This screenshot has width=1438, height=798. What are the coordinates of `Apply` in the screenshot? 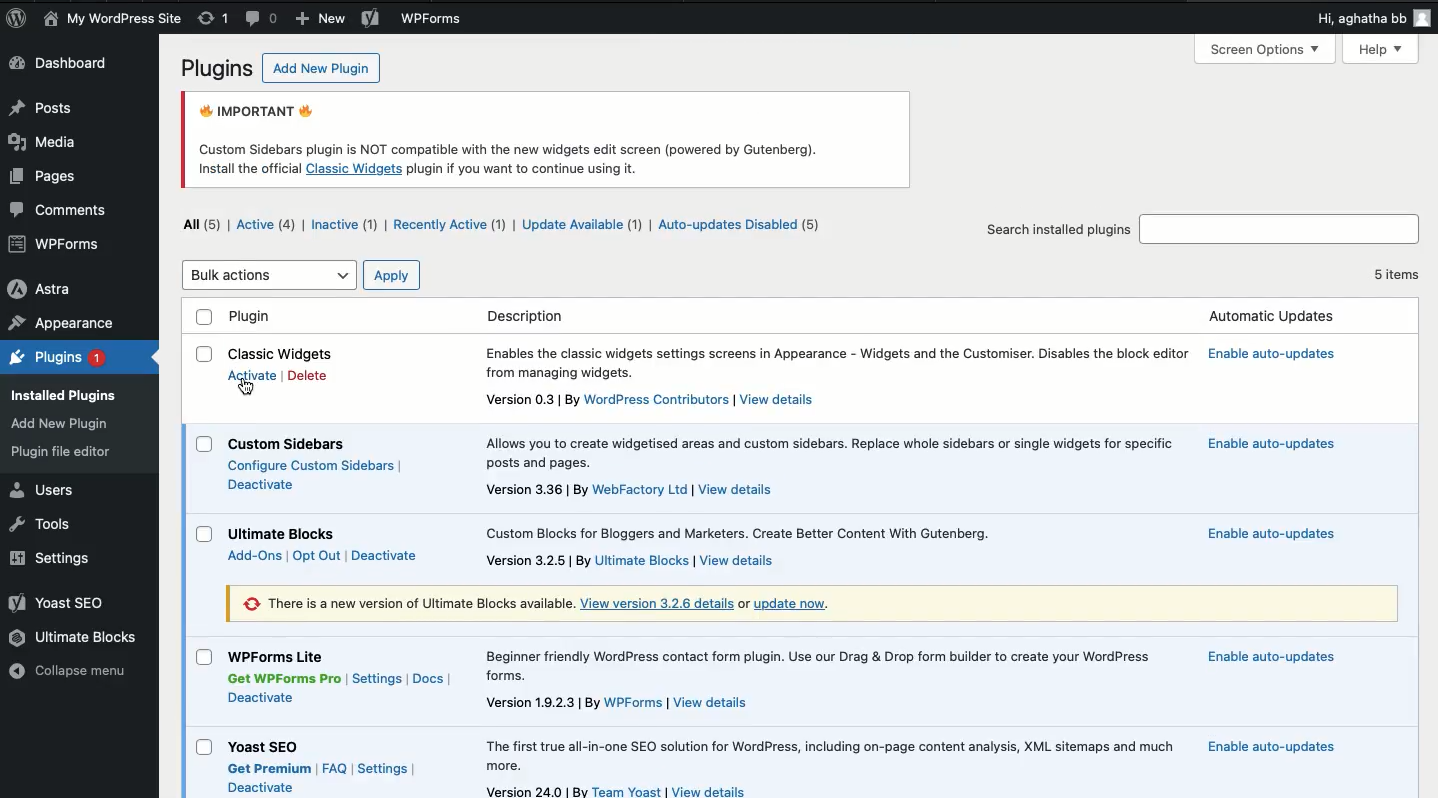 It's located at (391, 275).